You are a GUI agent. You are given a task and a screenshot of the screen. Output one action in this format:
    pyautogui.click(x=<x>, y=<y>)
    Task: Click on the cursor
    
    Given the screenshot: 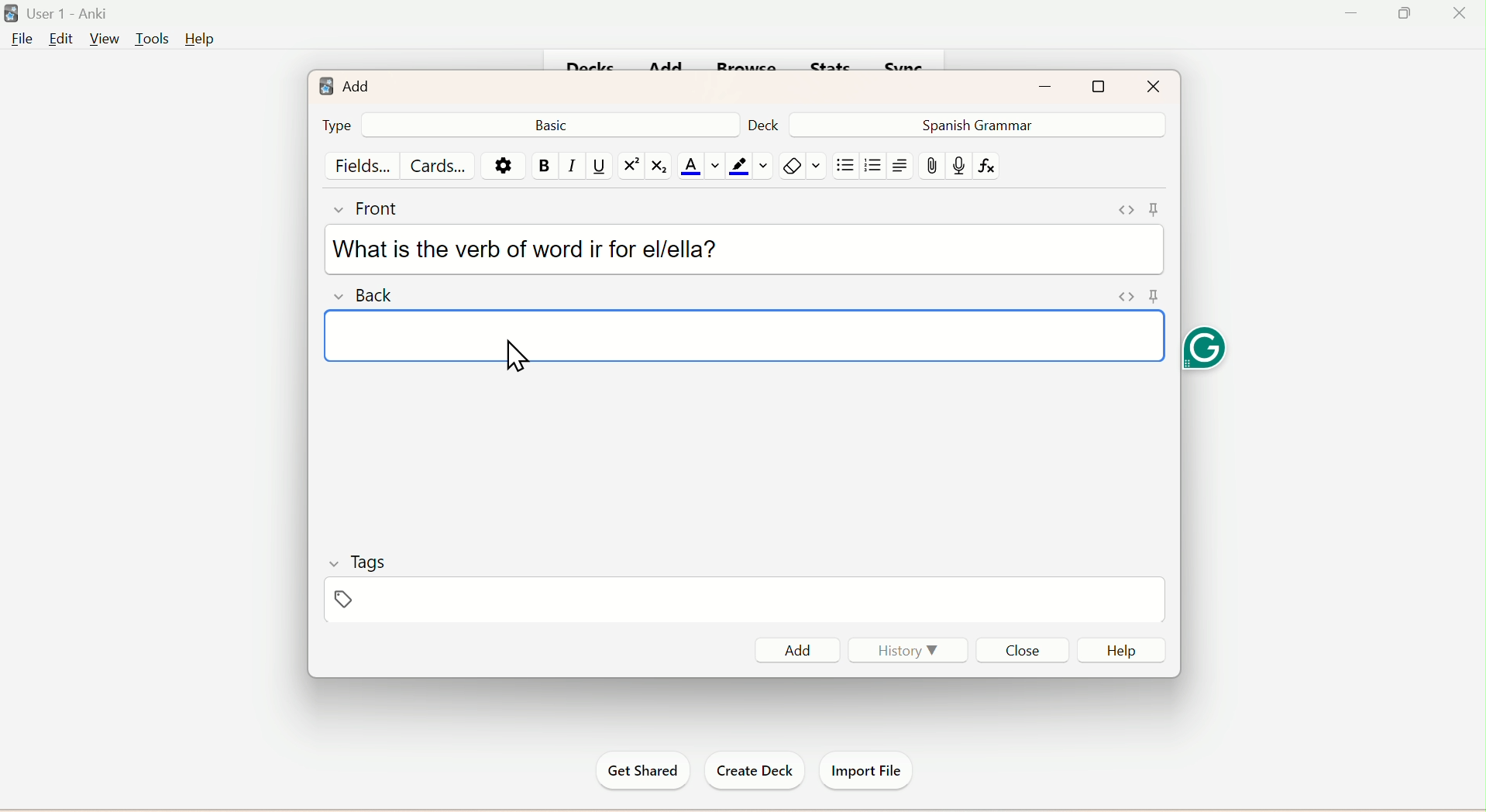 What is the action you would take?
    pyautogui.click(x=509, y=354)
    